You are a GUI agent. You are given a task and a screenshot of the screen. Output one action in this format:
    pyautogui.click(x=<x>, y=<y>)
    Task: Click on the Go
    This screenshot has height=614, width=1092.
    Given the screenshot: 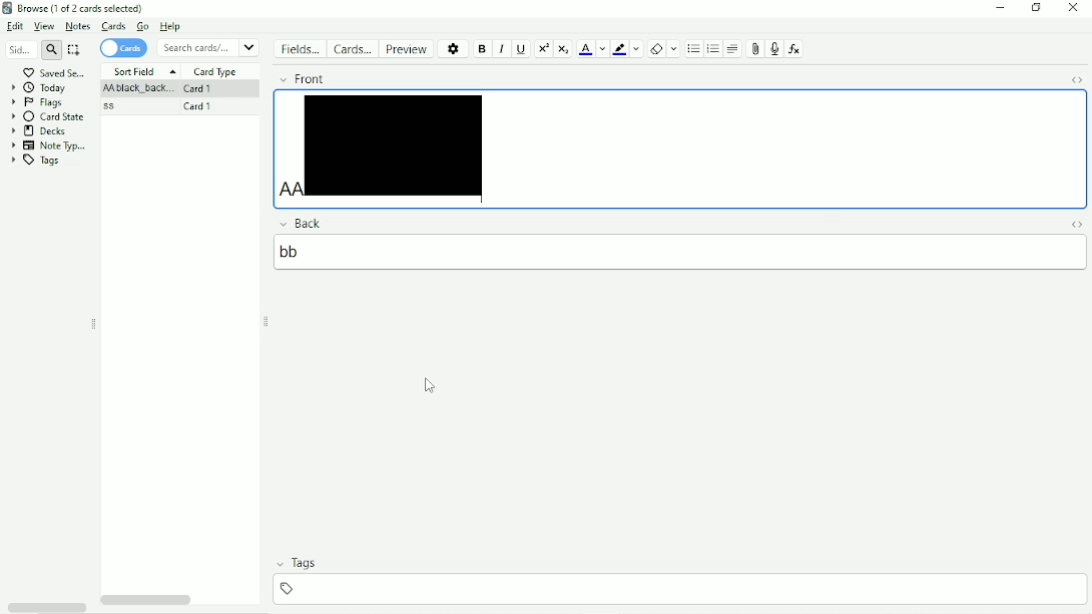 What is the action you would take?
    pyautogui.click(x=142, y=25)
    